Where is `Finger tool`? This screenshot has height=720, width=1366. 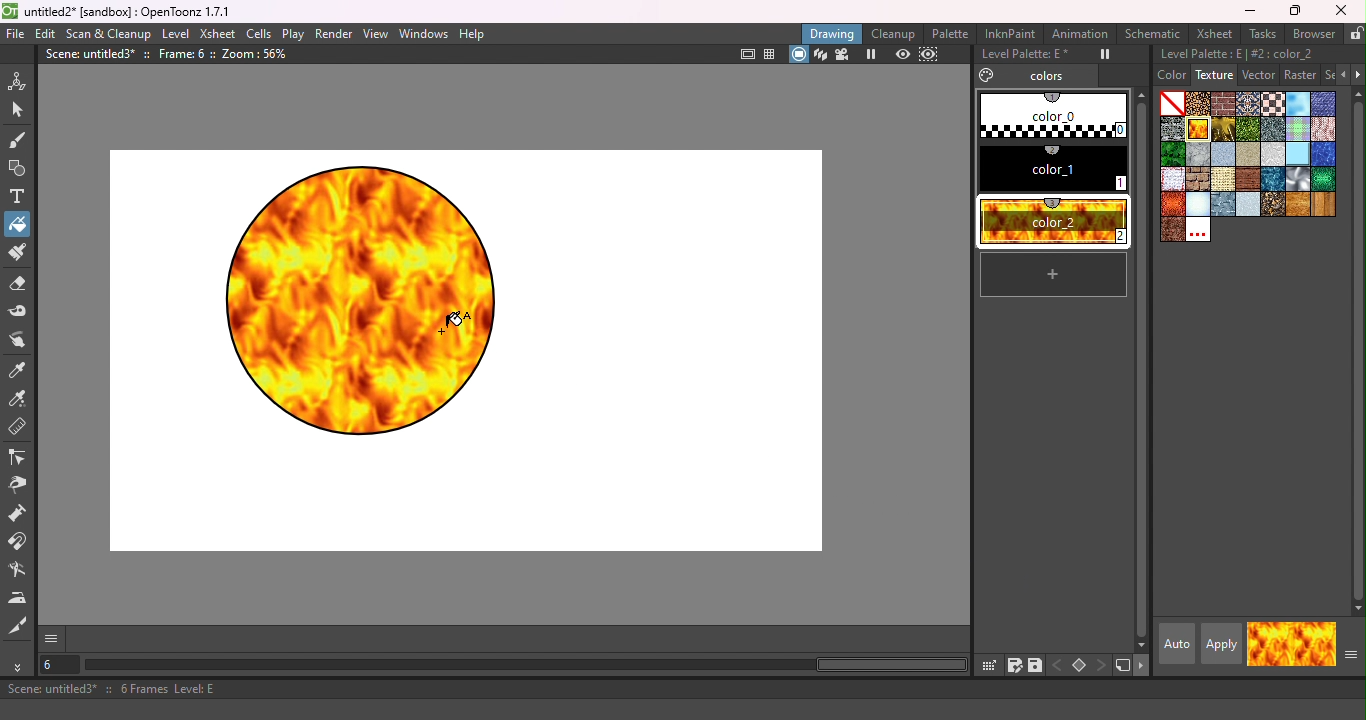
Finger tool is located at coordinates (21, 339).